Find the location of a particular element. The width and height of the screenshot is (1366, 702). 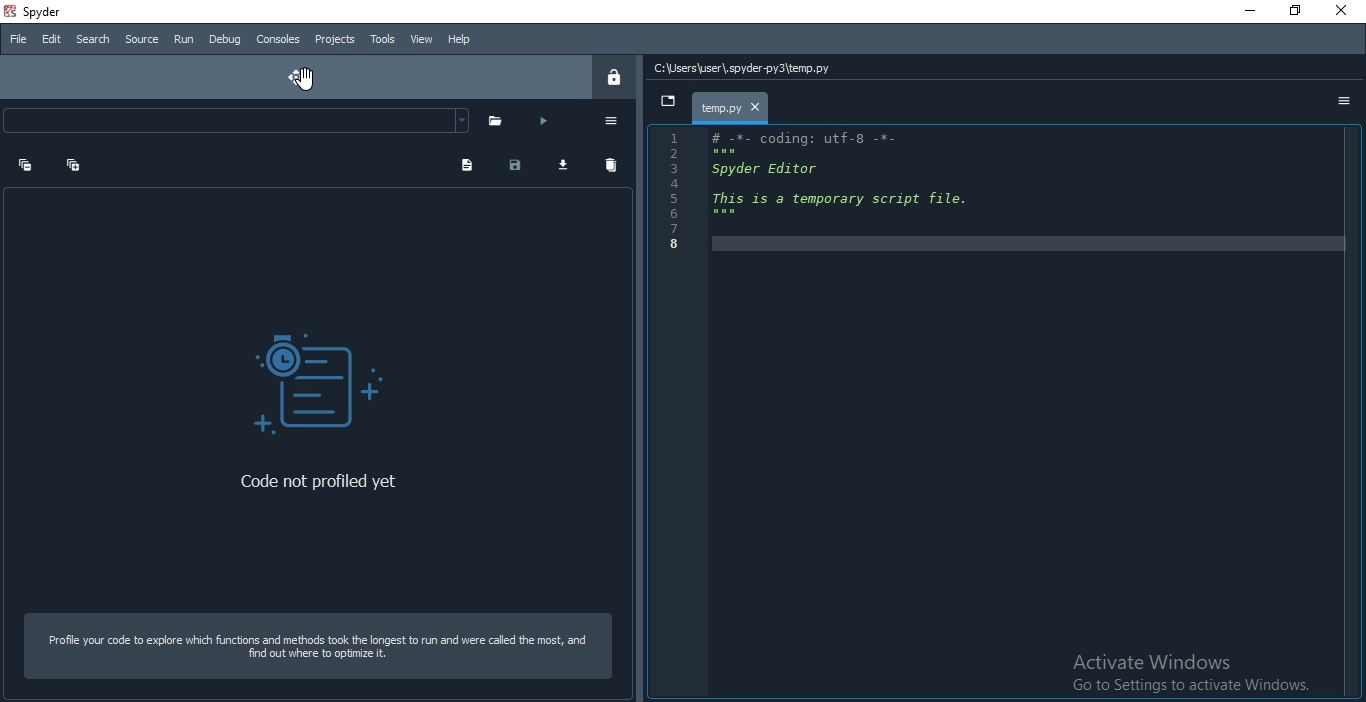

folders is located at coordinates (499, 120).